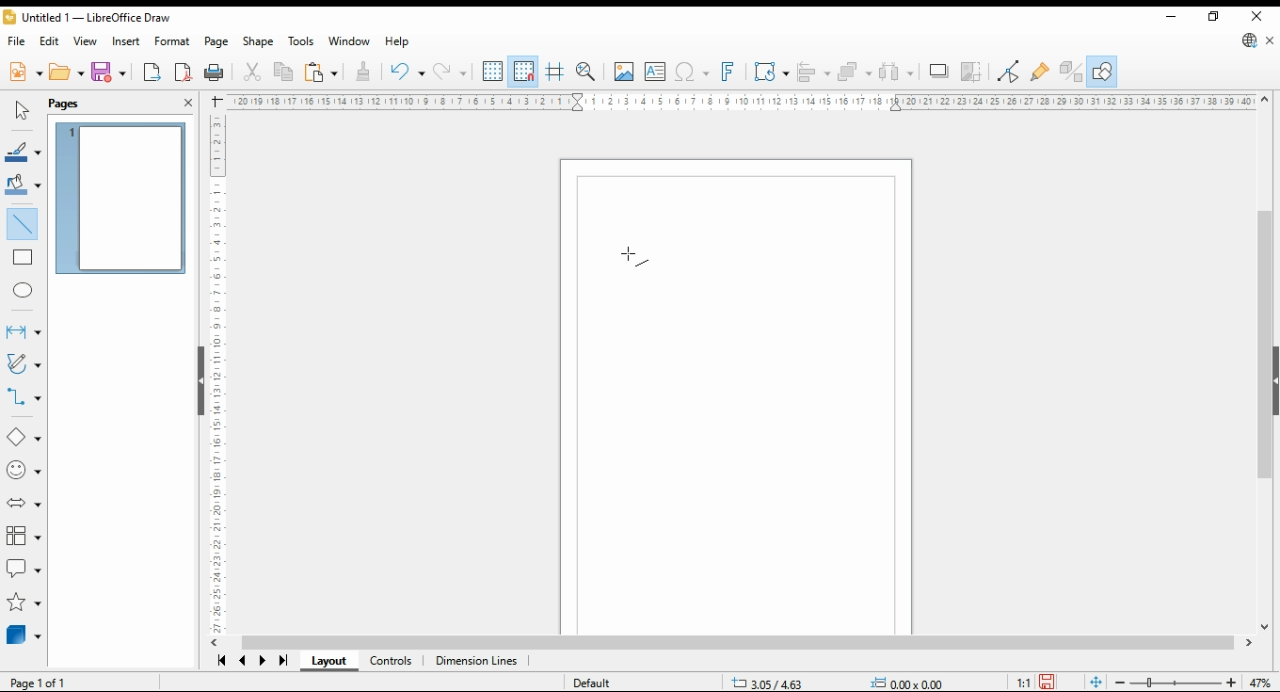 This screenshot has width=1280, height=692. What do you see at coordinates (23, 288) in the screenshot?
I see `ellipse` at bounding box center [23, 288].